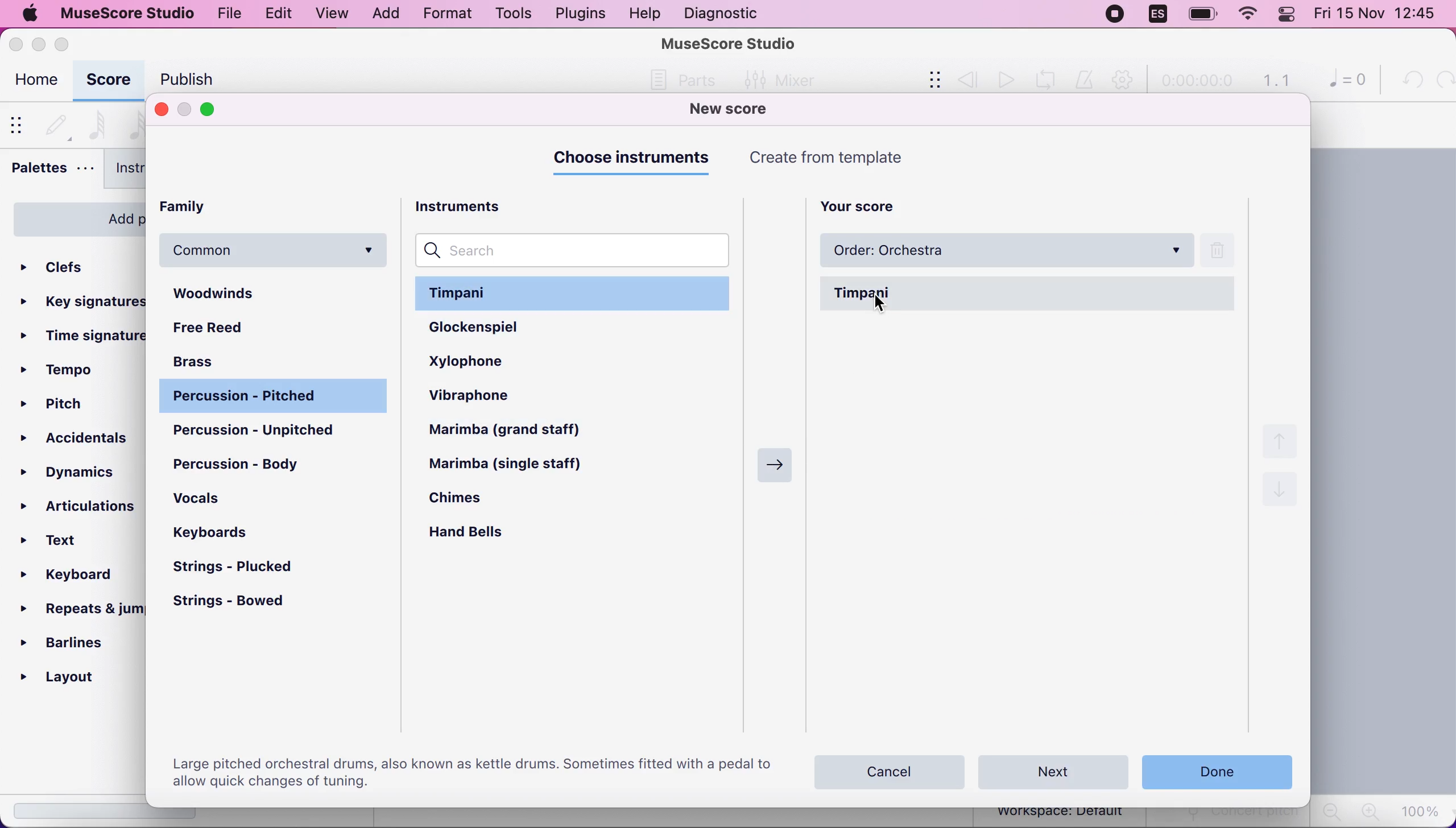  What do you see at coordinates (74, 217) in the screenshot?
I see `add palettes` at bounding box center [74, 217].